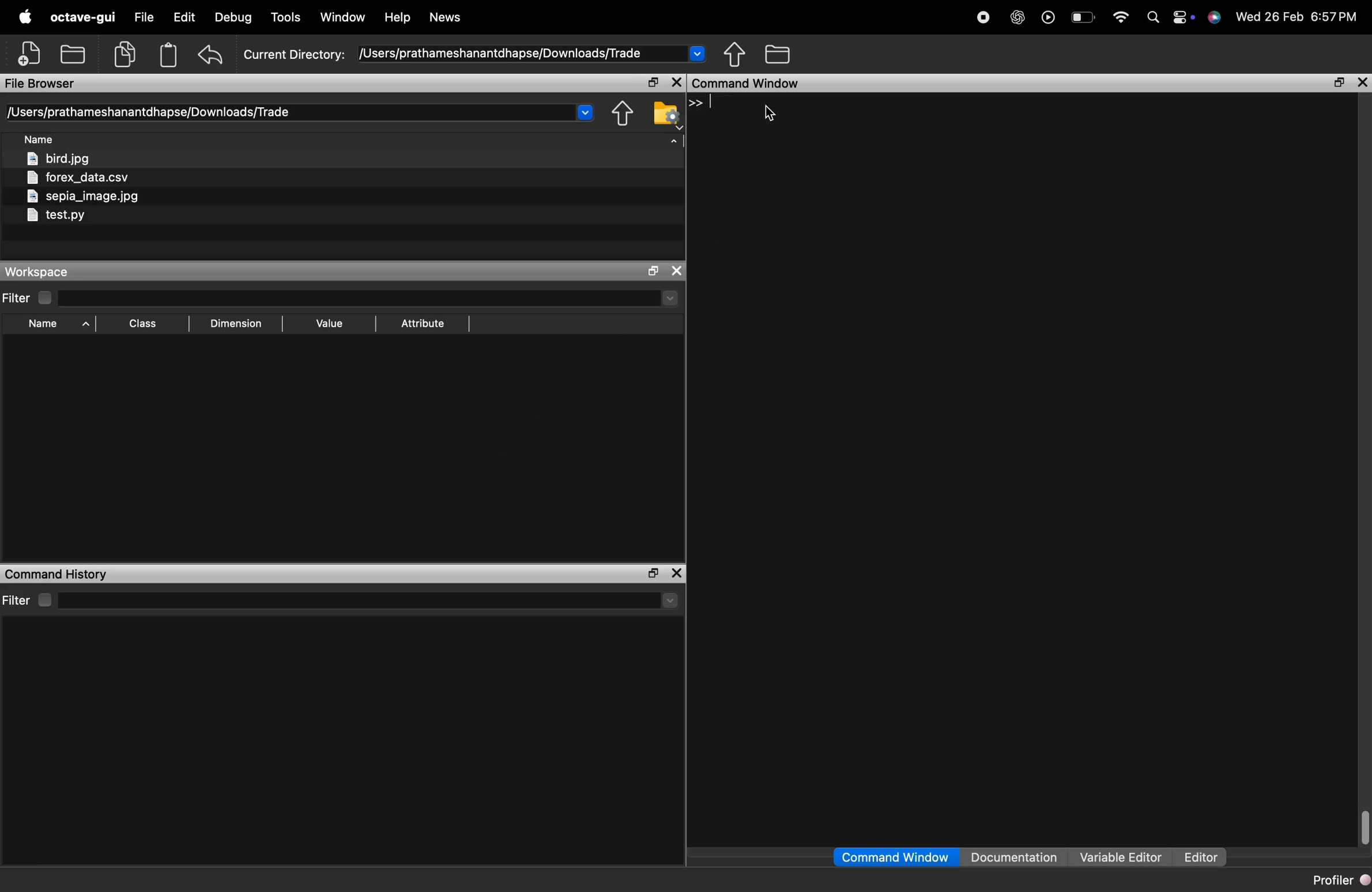 This screenshot has width=1372, height=892. I want to click on window, so click(343, 17).